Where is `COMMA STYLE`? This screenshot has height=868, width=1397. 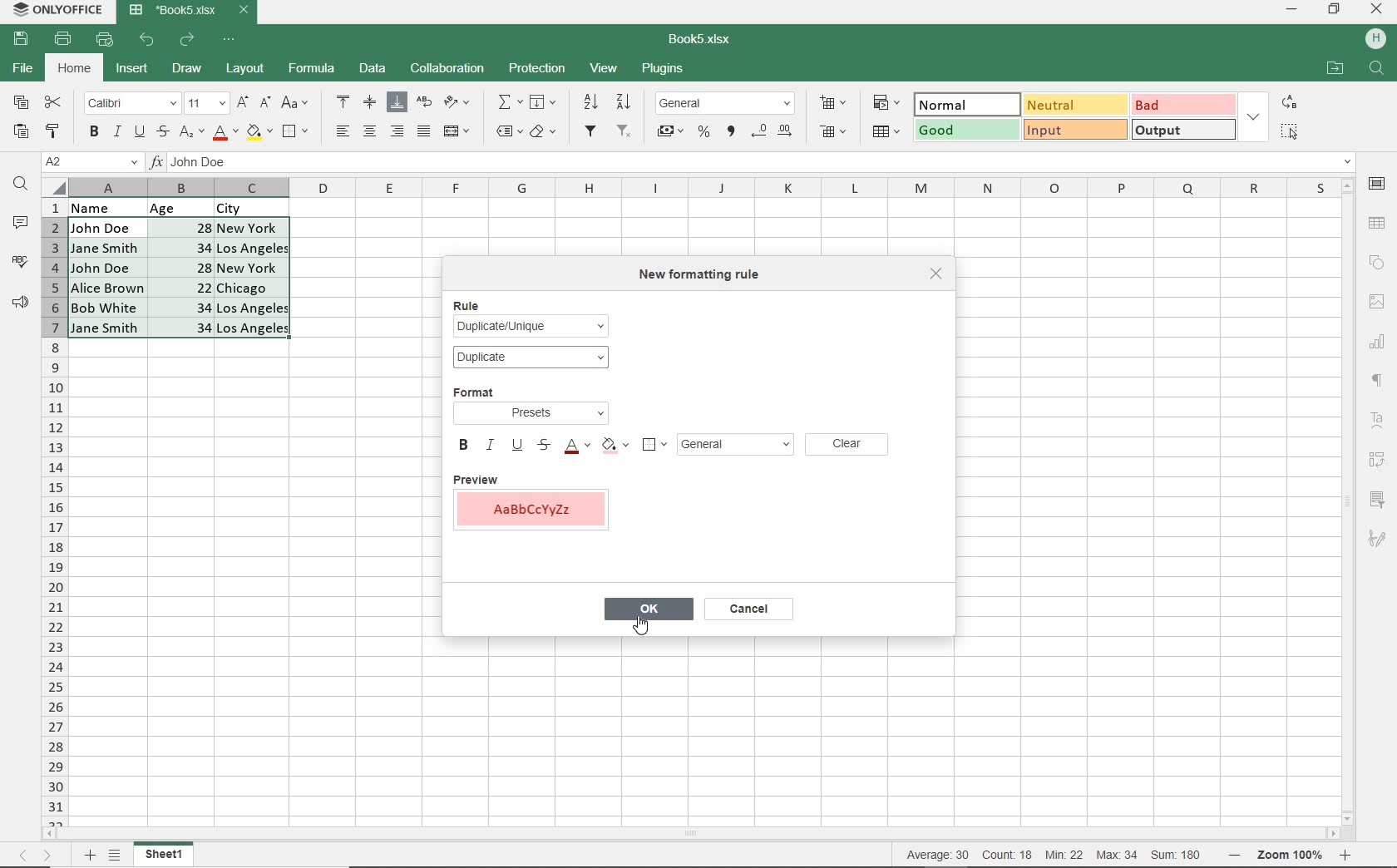 COMMA STYLE is located at coordinates (729, 131).